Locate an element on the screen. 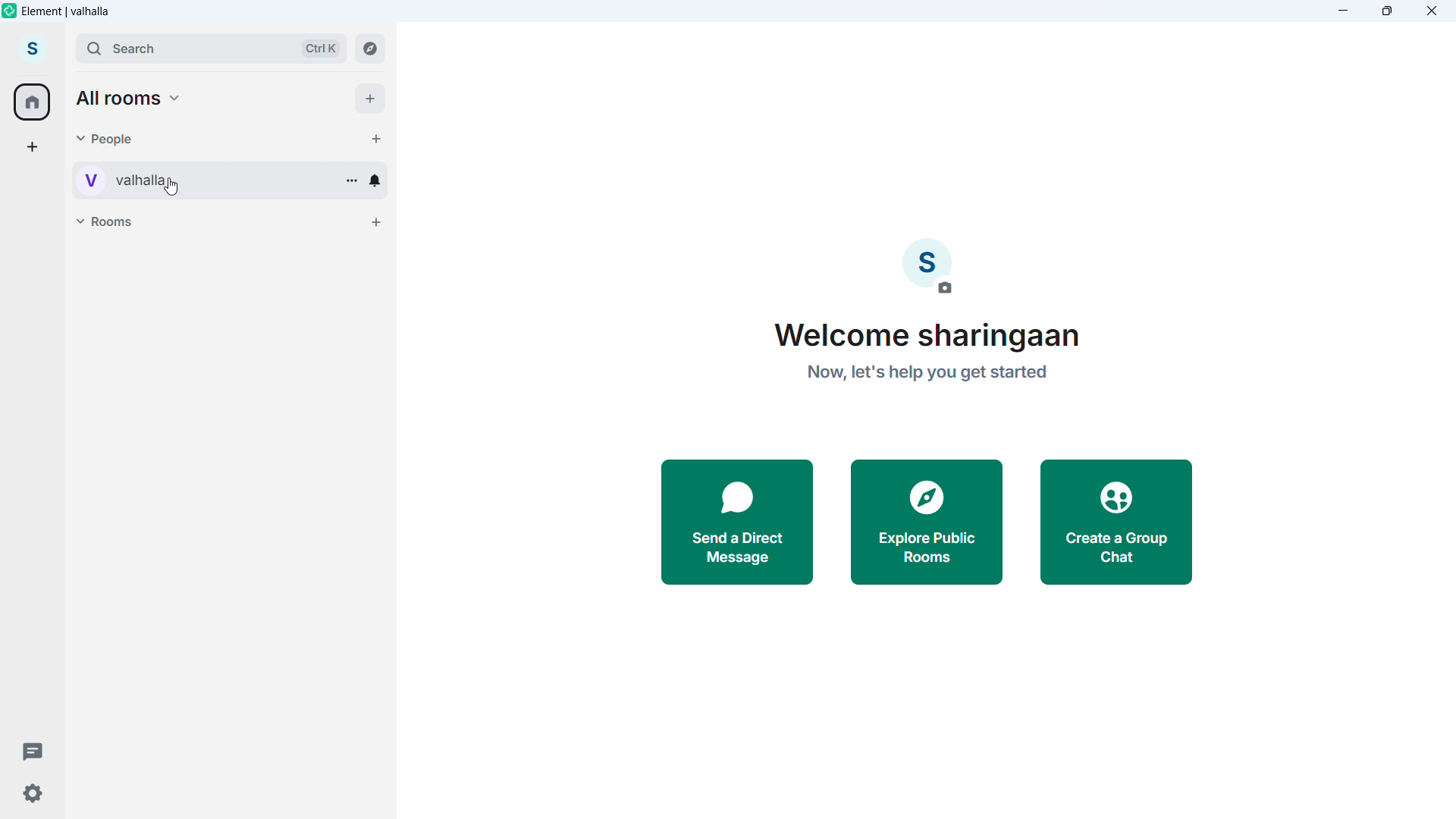 The image size is (1456, 819). Maximize is located at coordinates (1388, 11).